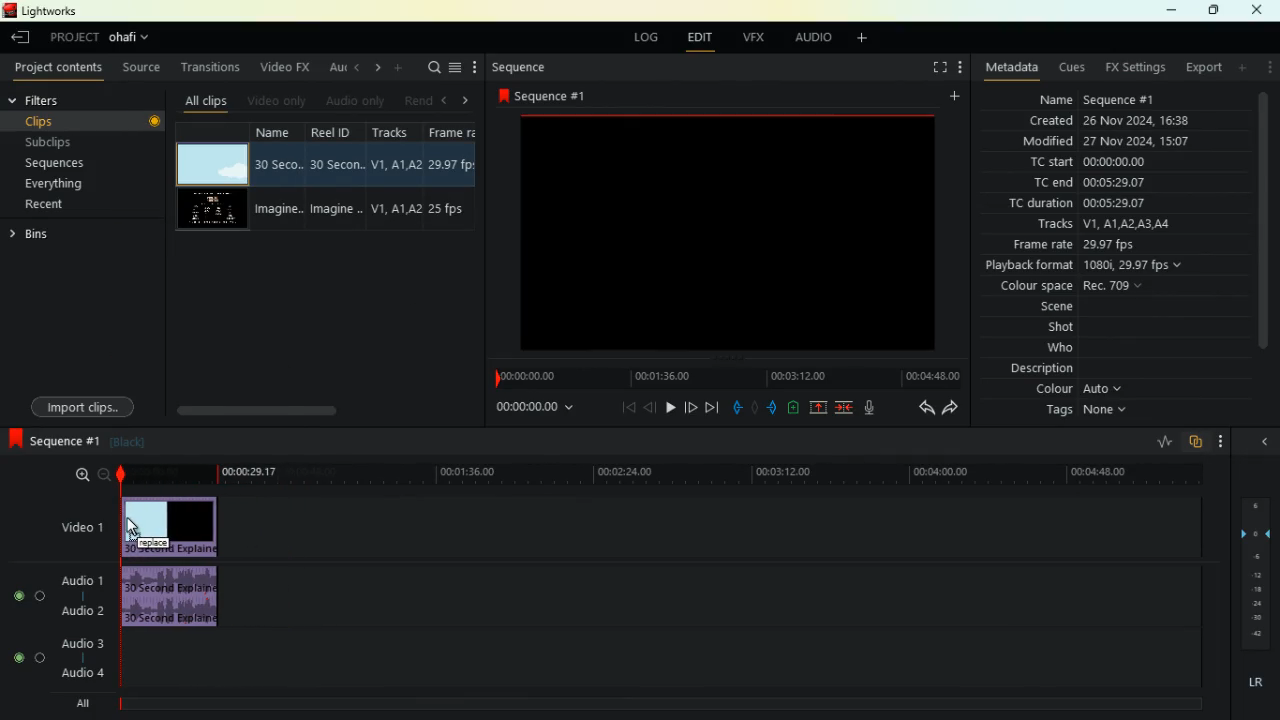  I want to click on add, so click(402, 68).